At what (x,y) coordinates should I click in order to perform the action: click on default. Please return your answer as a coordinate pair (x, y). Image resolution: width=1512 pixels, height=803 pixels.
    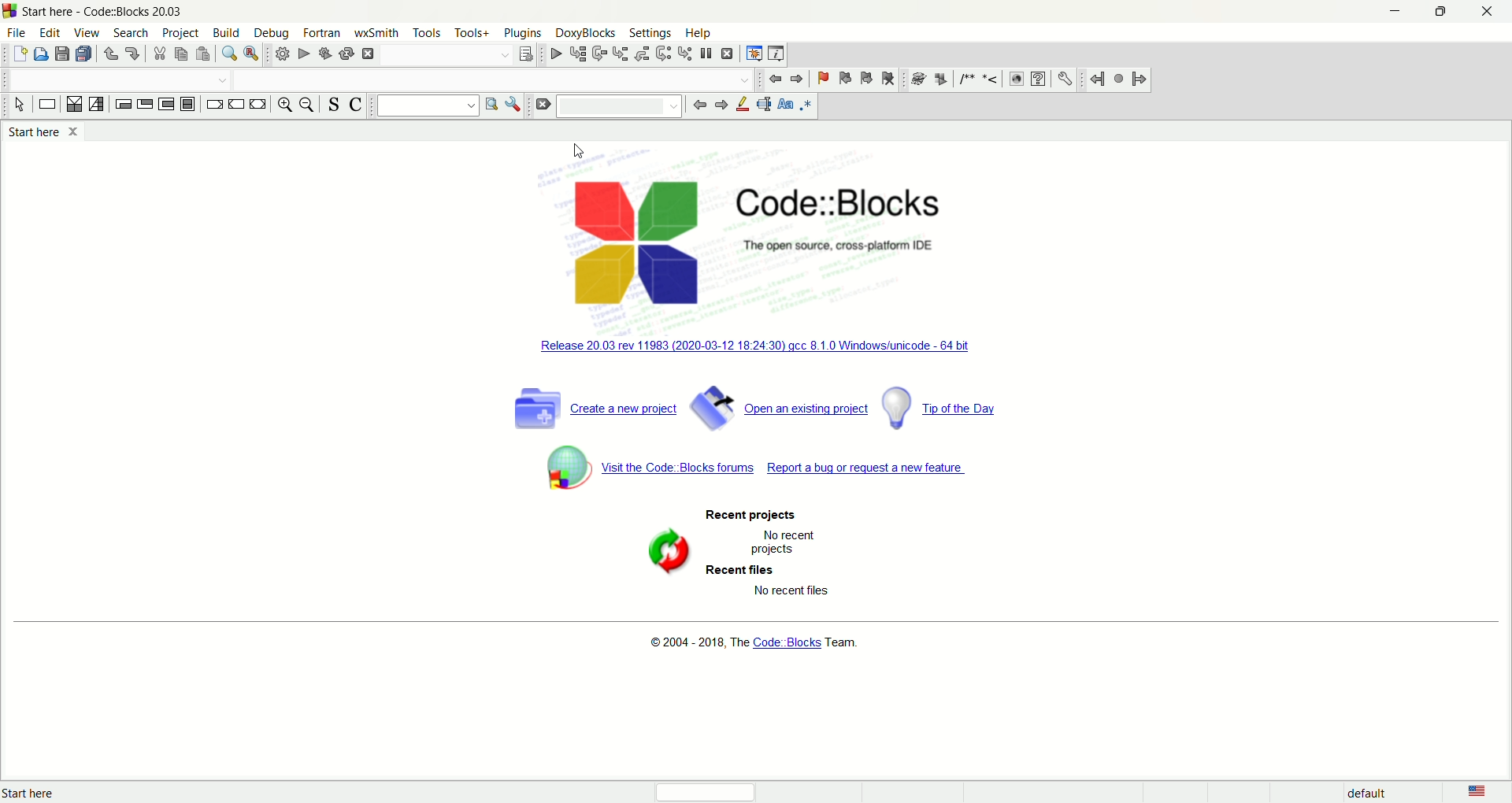
    Looking at the image, I should click on (1369, 794).